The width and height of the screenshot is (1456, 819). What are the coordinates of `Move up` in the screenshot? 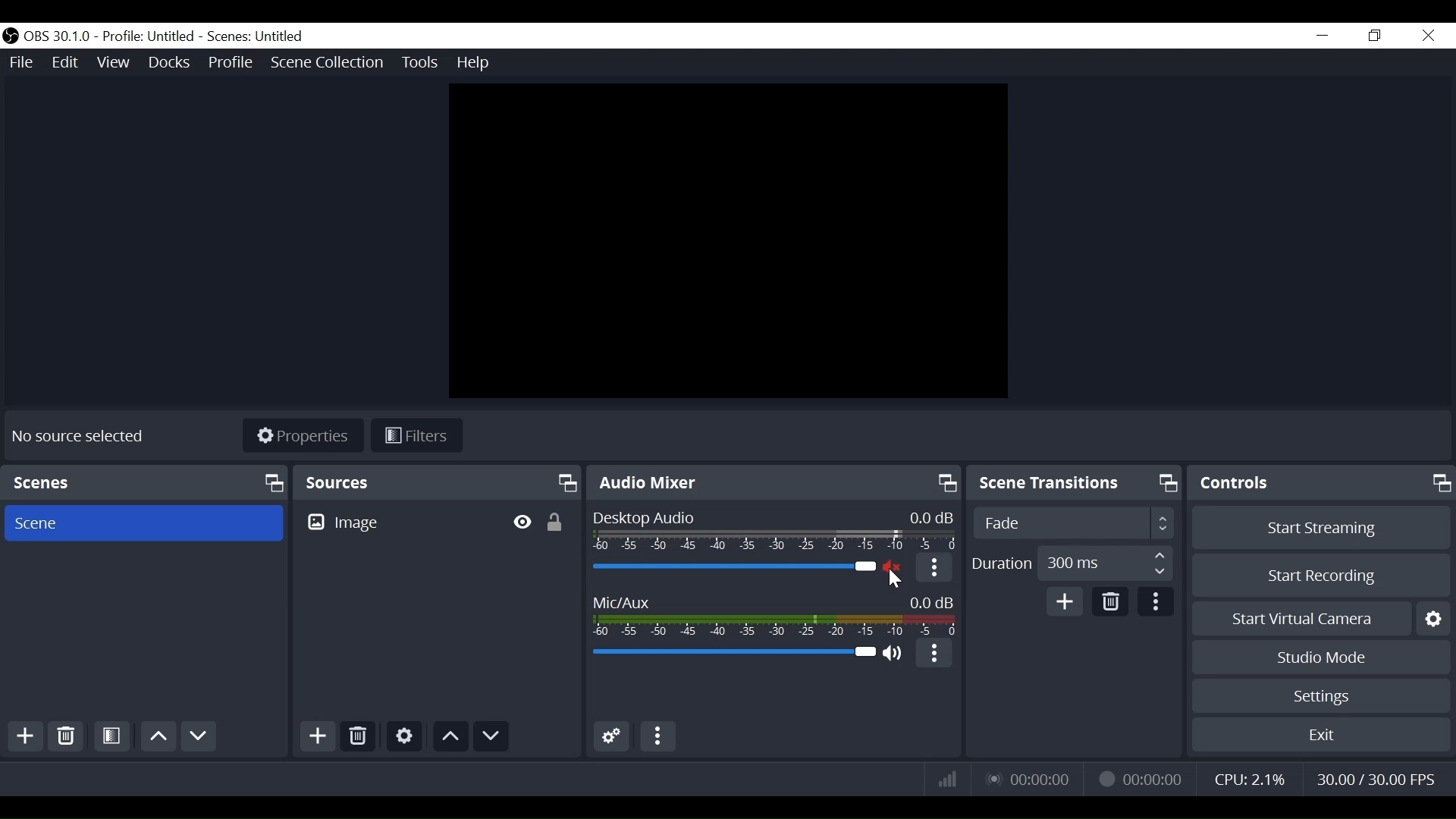 It's located at (157, 736).